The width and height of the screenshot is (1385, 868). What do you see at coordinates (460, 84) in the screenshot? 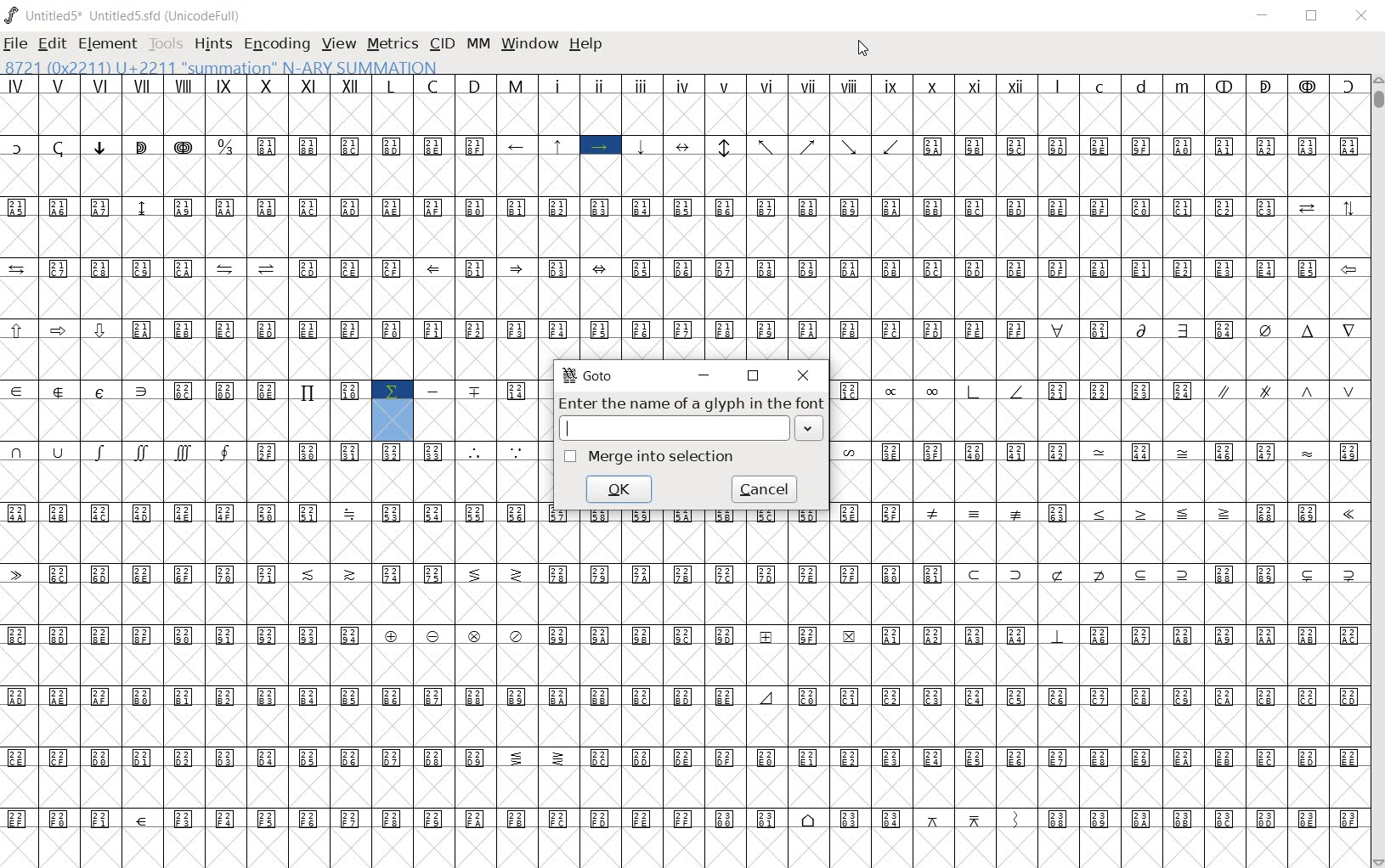
I see ` capital letters L C D M` at bounding box center [460, 84].